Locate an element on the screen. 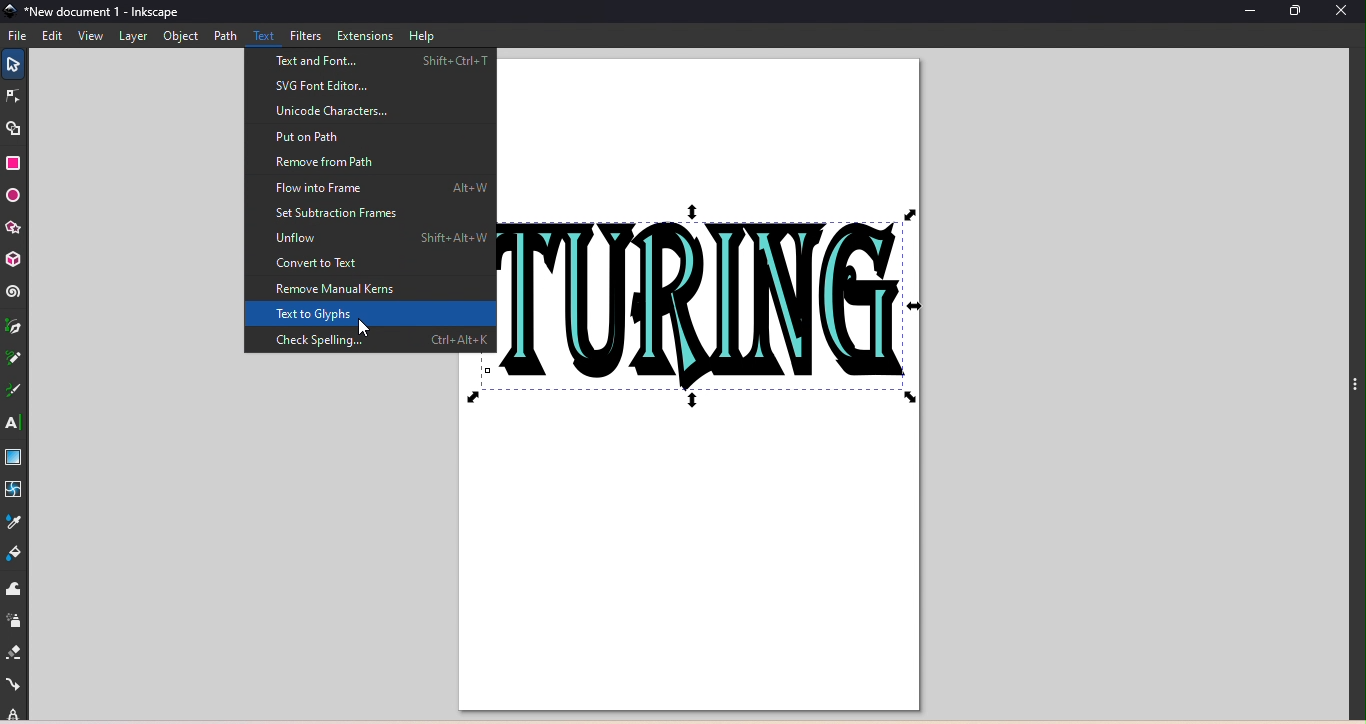 The height and width of the screenshot is (724, 1366). Convert to text is located at coordinates (372, 263).